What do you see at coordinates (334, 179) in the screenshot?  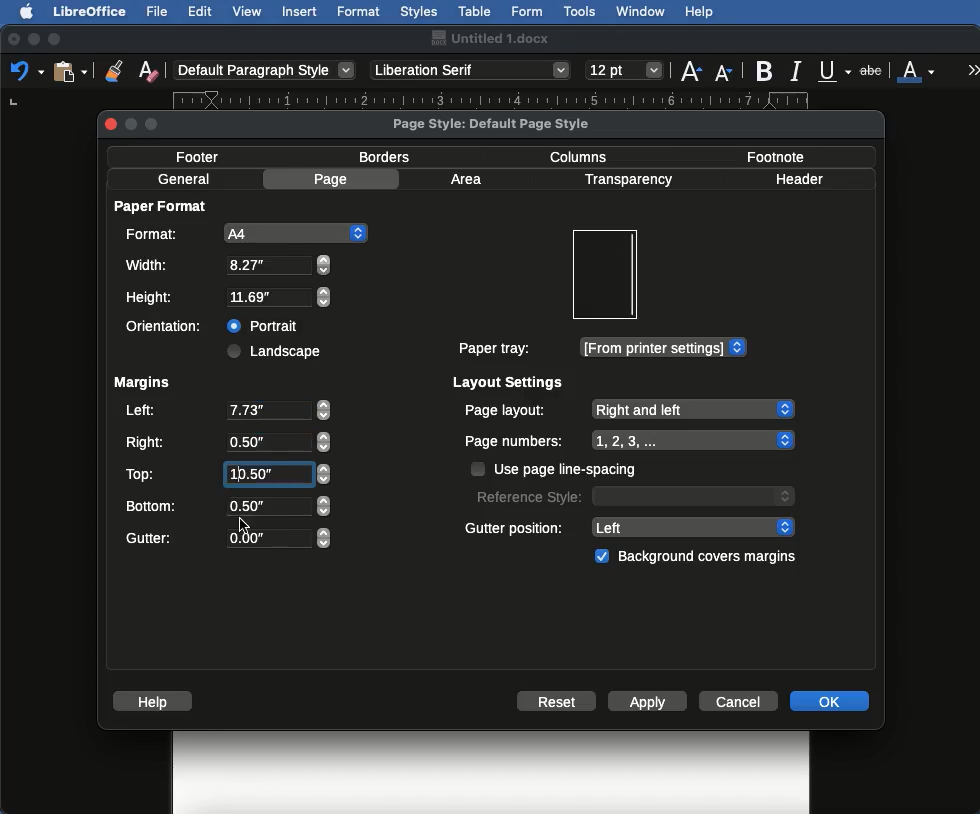 I see `Page` at bounding box center [334, 179].